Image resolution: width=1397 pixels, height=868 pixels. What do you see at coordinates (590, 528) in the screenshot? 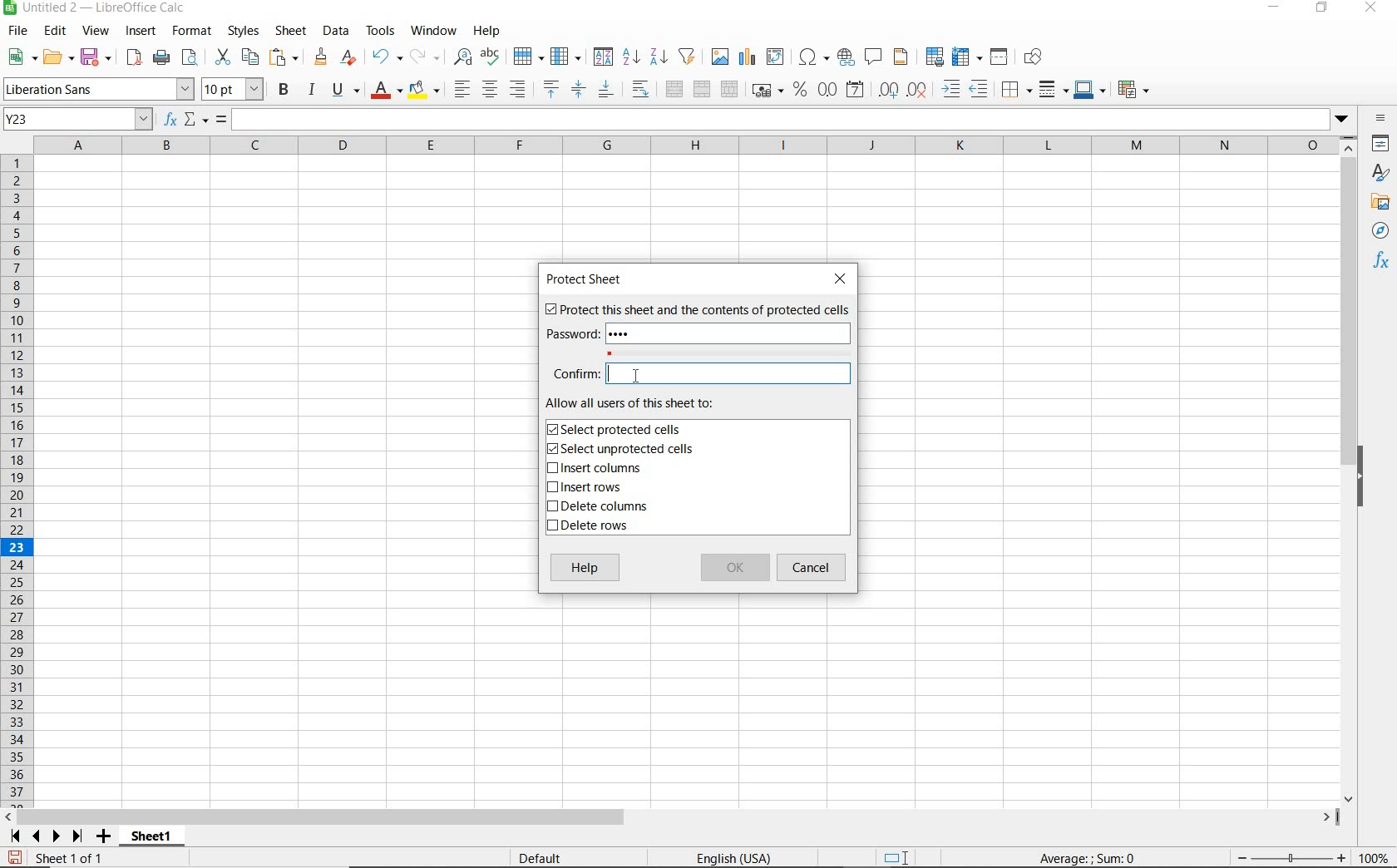
I see `DELETE ROWS` at bounding box center [590, 528].